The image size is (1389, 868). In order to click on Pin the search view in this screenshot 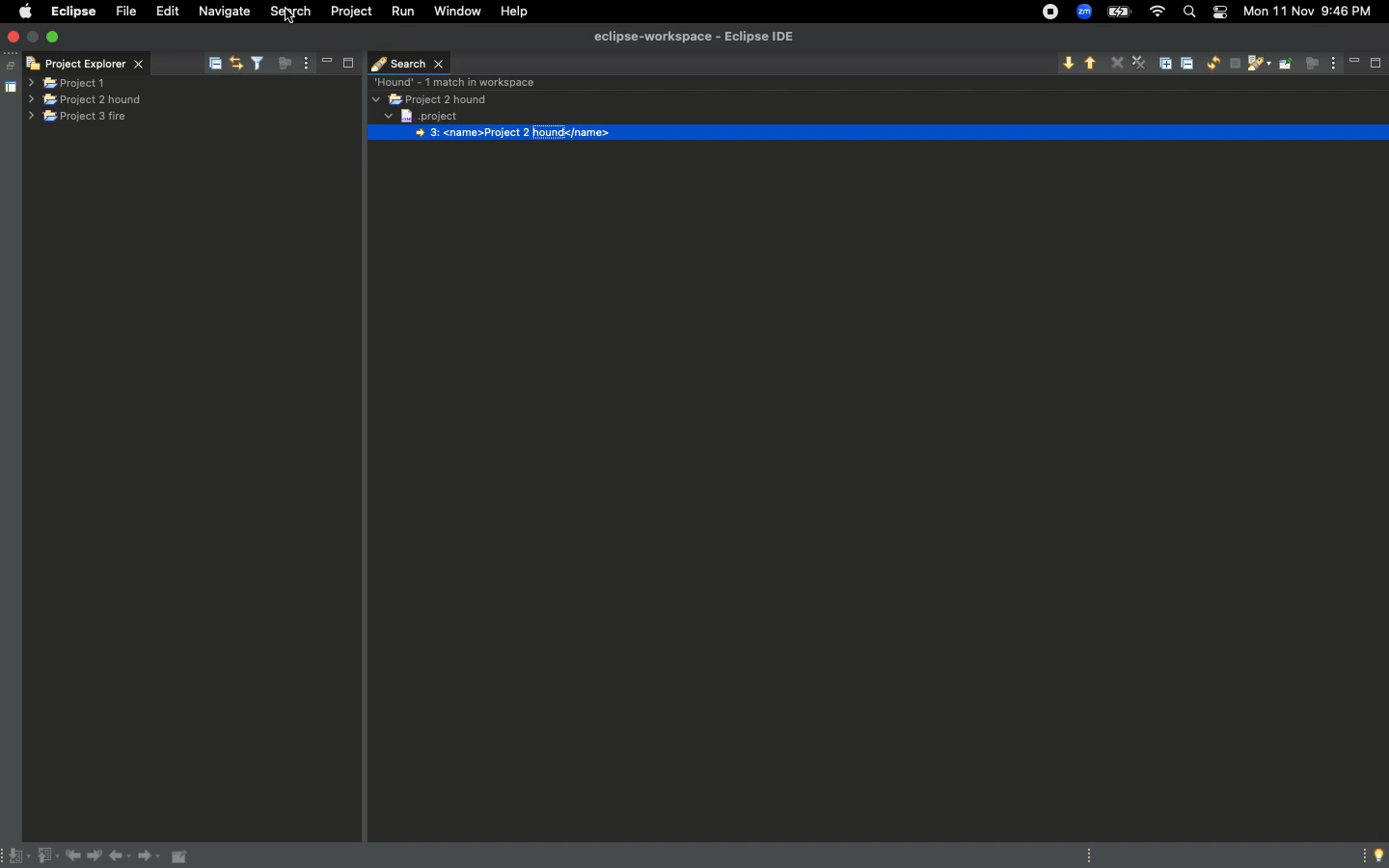, I will do `click(1286, 70)`.